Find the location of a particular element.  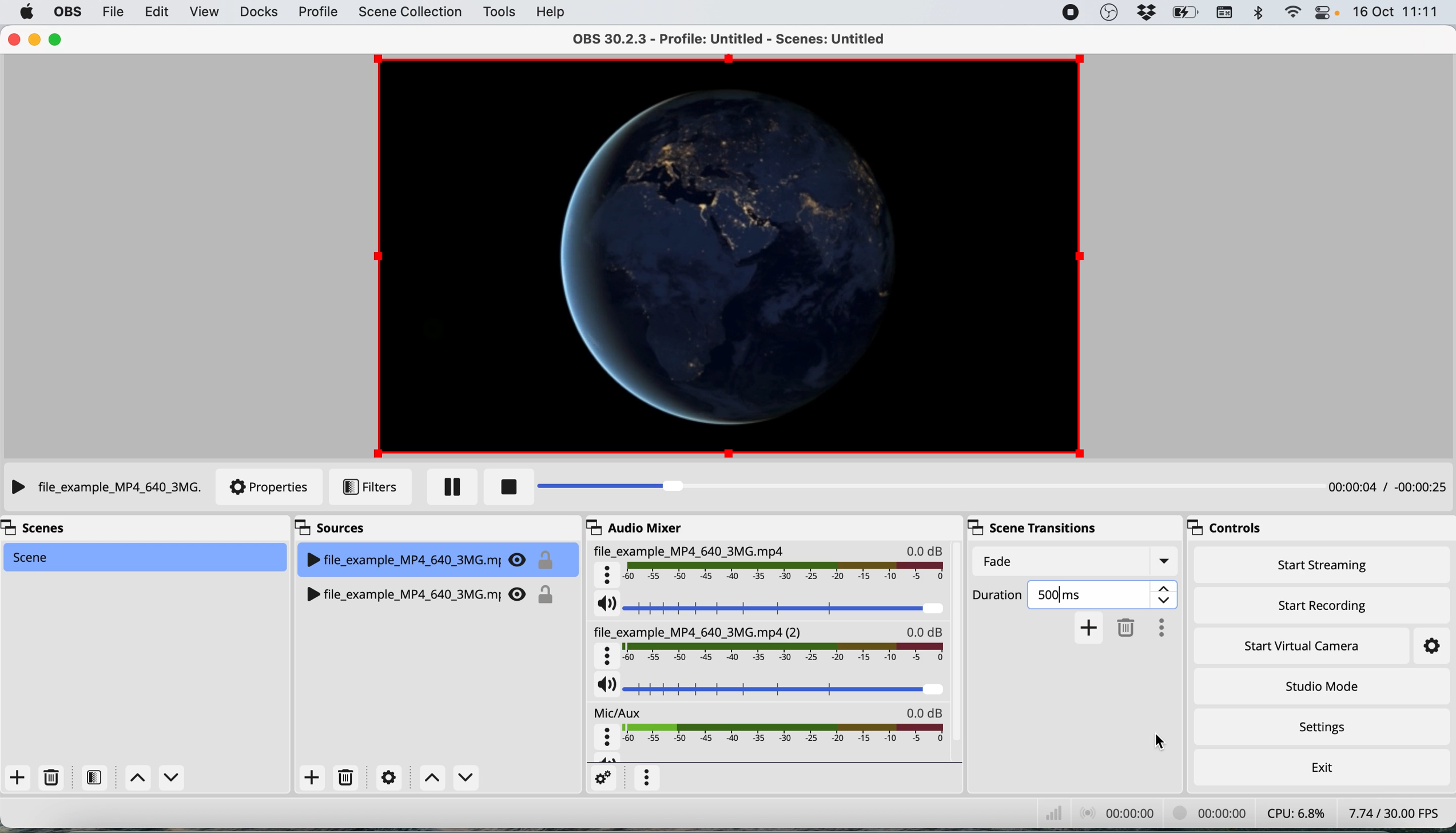

studio mode is located at coordinates (1319, 686).